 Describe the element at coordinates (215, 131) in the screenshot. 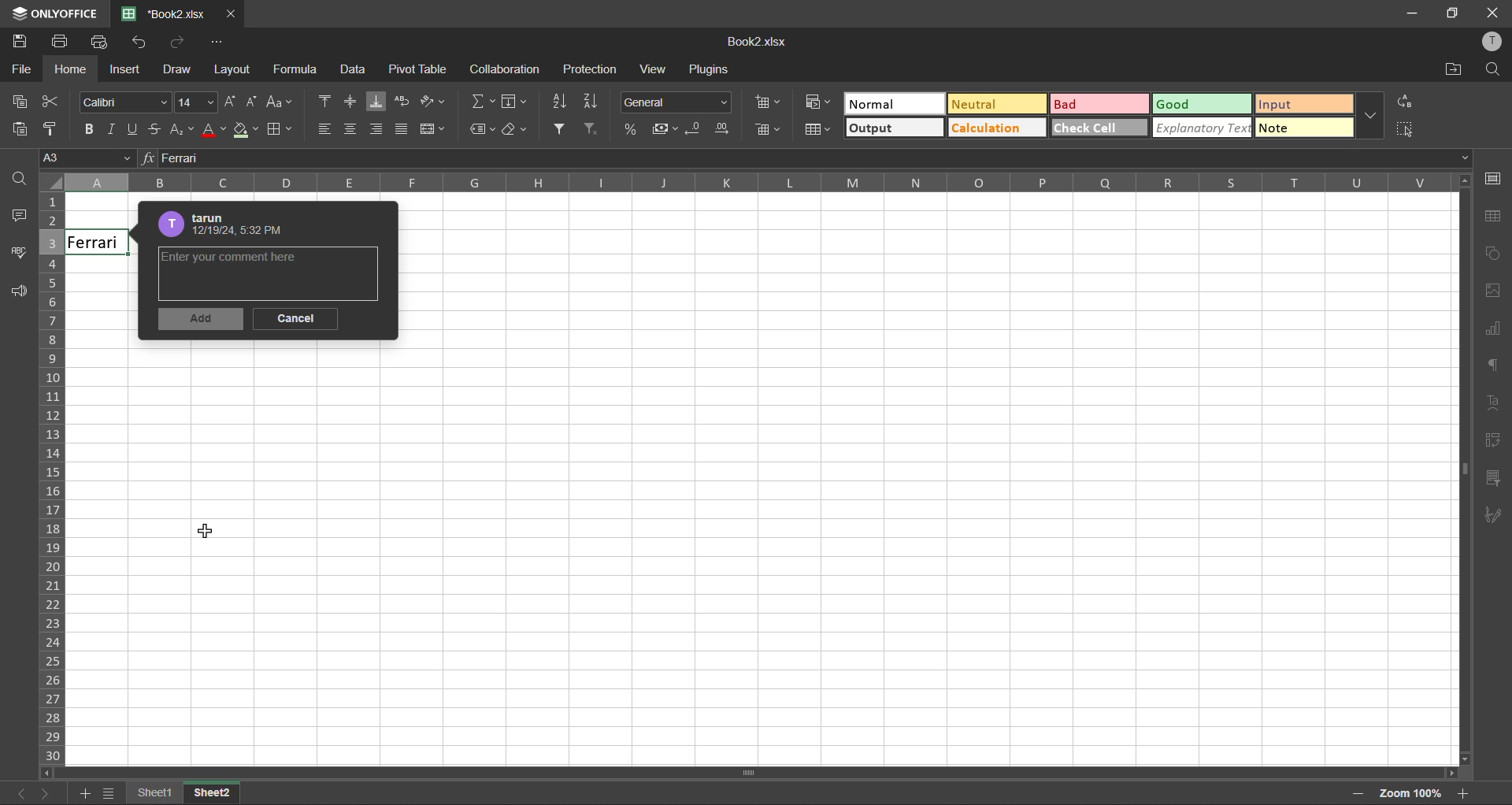

I see `font color` at that location.